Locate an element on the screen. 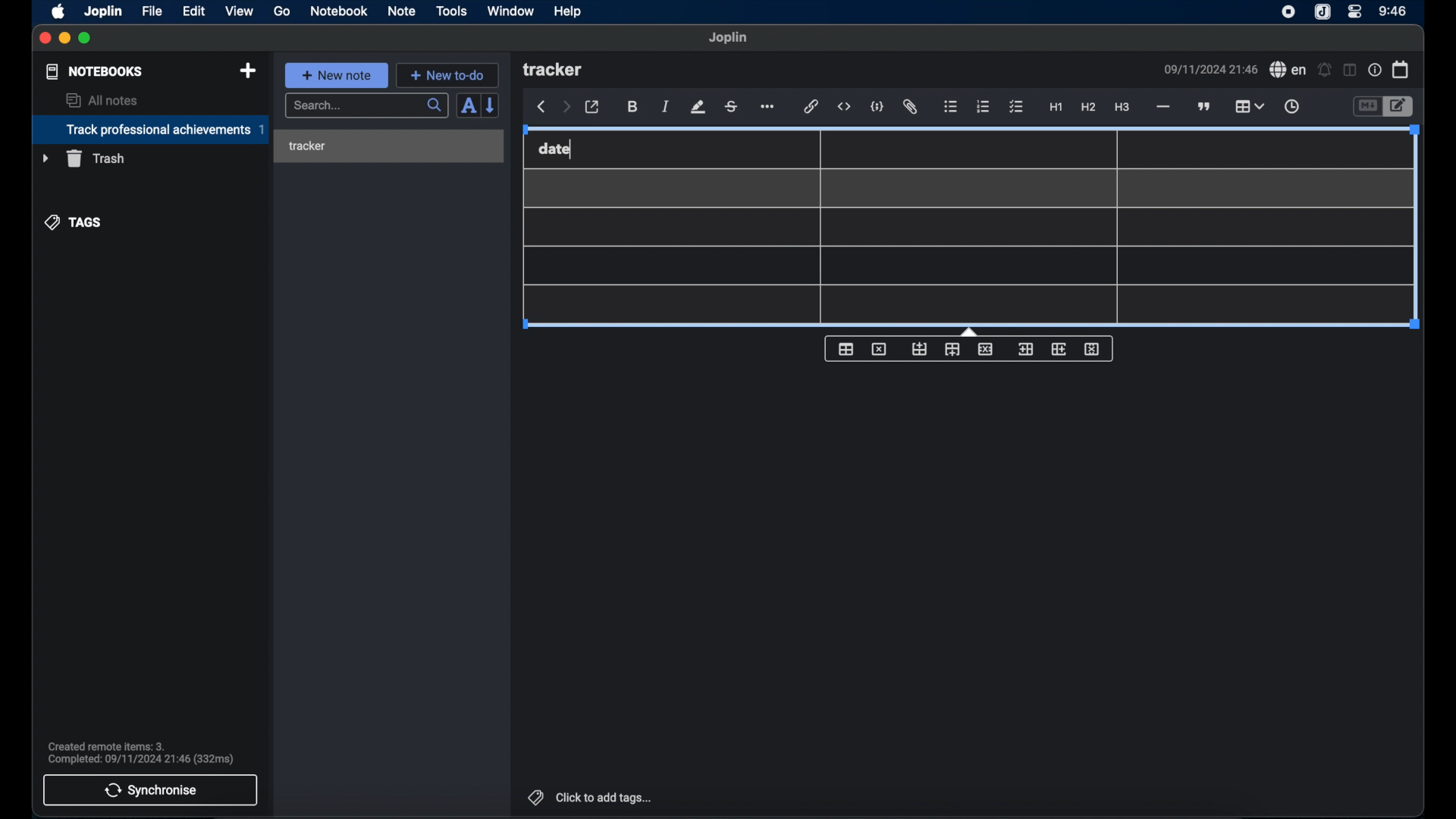 The width and height of the screenshot is (1456, 819). new note is located at coordinates (336, 74).